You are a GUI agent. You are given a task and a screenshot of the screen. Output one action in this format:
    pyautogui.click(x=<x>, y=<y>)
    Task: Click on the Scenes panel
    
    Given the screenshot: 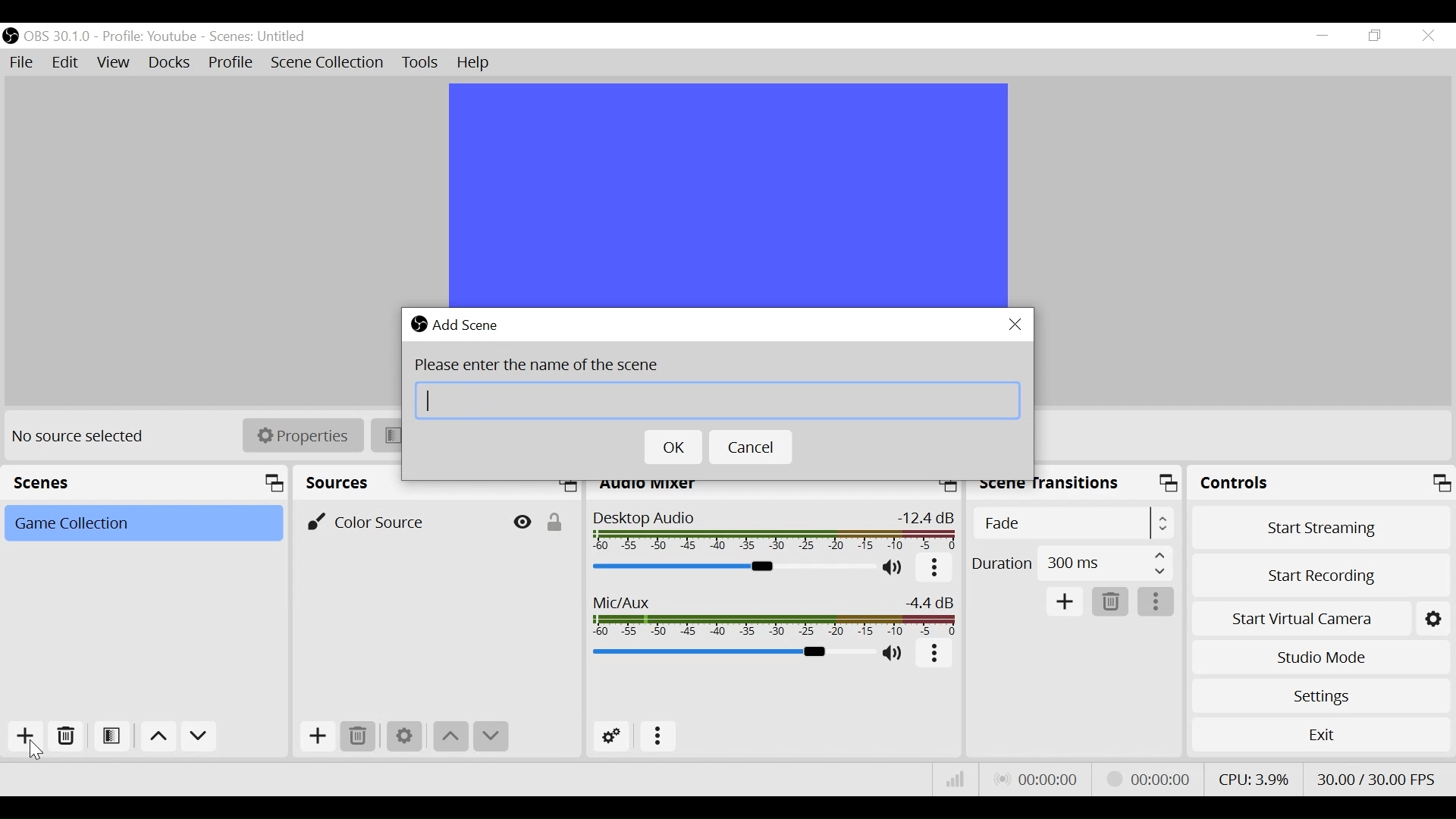 What is the action you would take?
    pyautogui.click(x=147, y=483)
    